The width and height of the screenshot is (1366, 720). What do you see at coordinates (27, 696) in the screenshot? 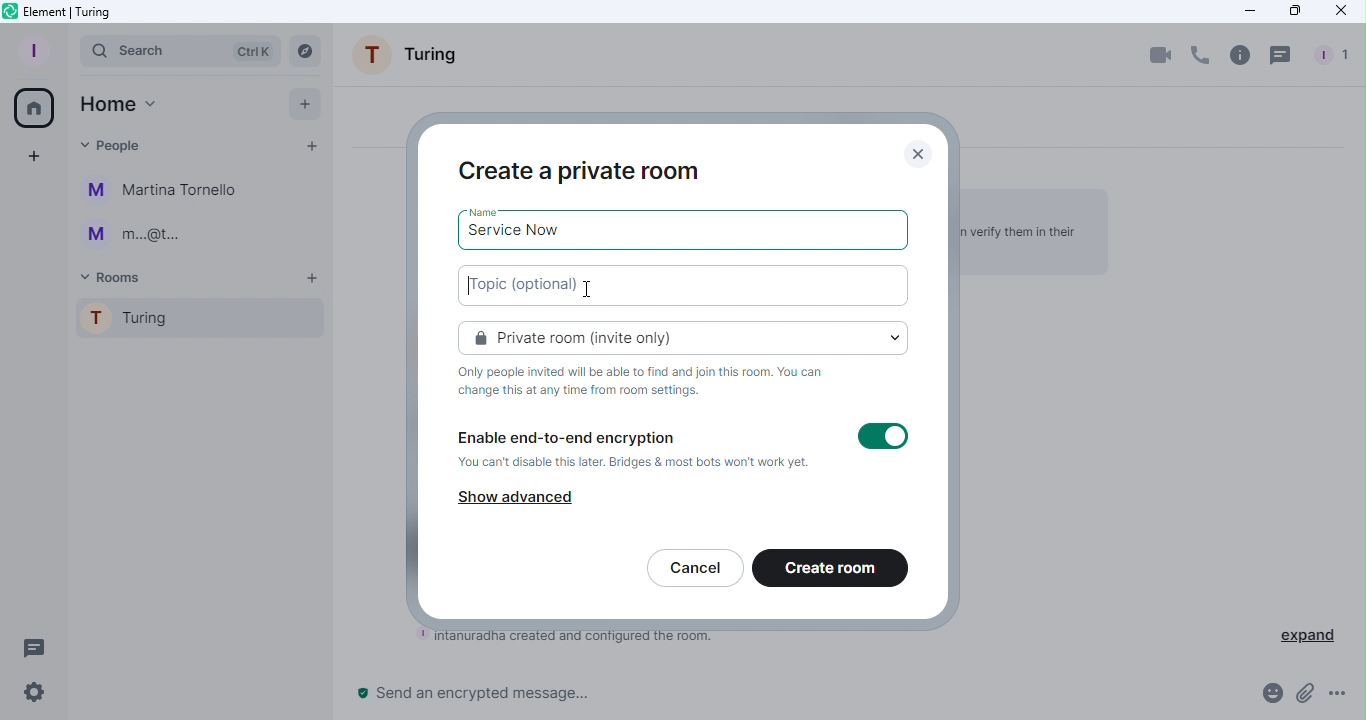
I see `Quick settings` at bounding box center [27, 696].